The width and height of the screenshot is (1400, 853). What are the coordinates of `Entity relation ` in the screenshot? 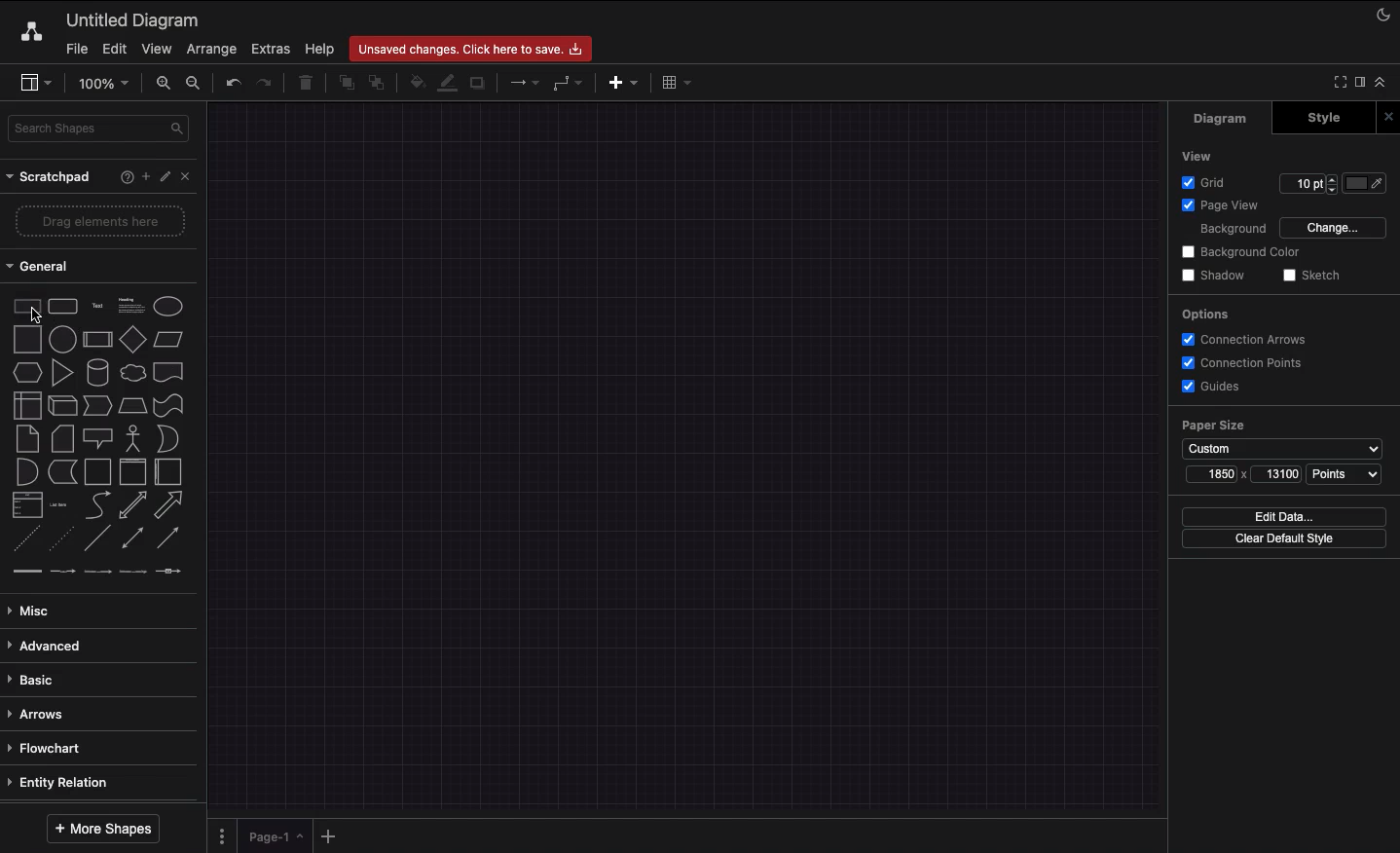 It's located at (69, 784).